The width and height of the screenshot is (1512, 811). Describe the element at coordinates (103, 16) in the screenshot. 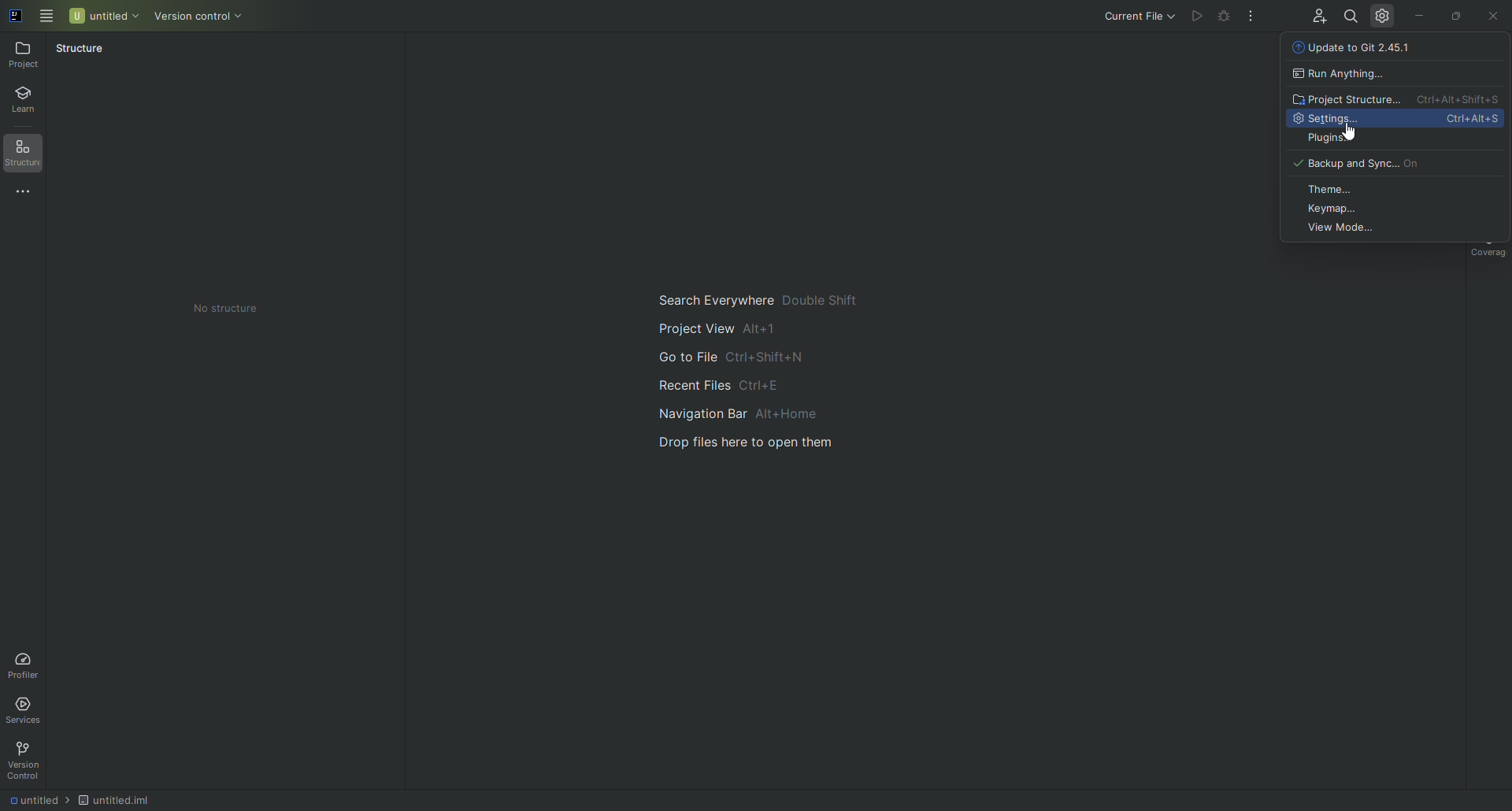

I see `Untitled` at that location.